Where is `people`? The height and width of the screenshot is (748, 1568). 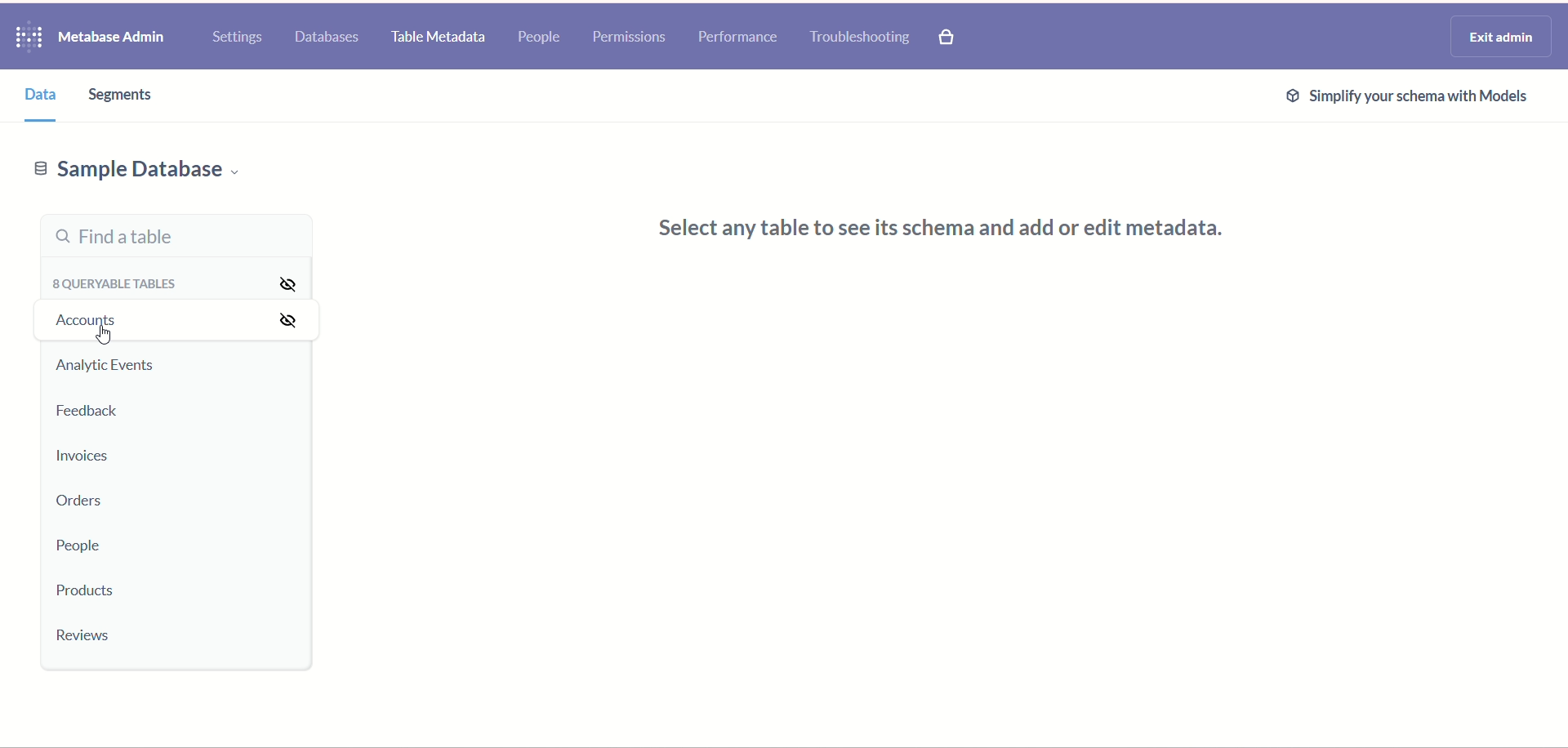 people is located at coordinates (79, 545).